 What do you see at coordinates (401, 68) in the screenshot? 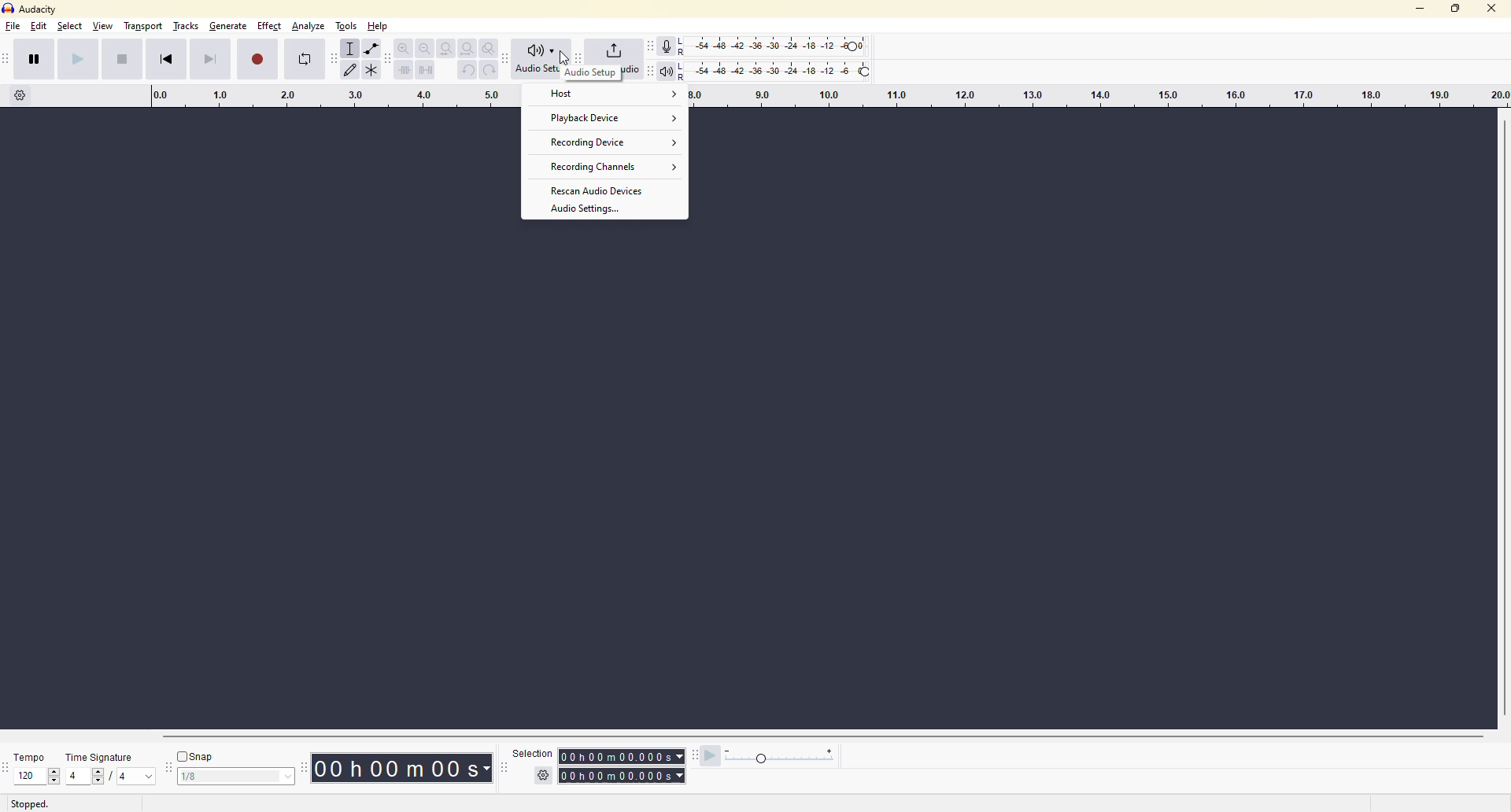
I see `setting` at bounding box center [401, 68].